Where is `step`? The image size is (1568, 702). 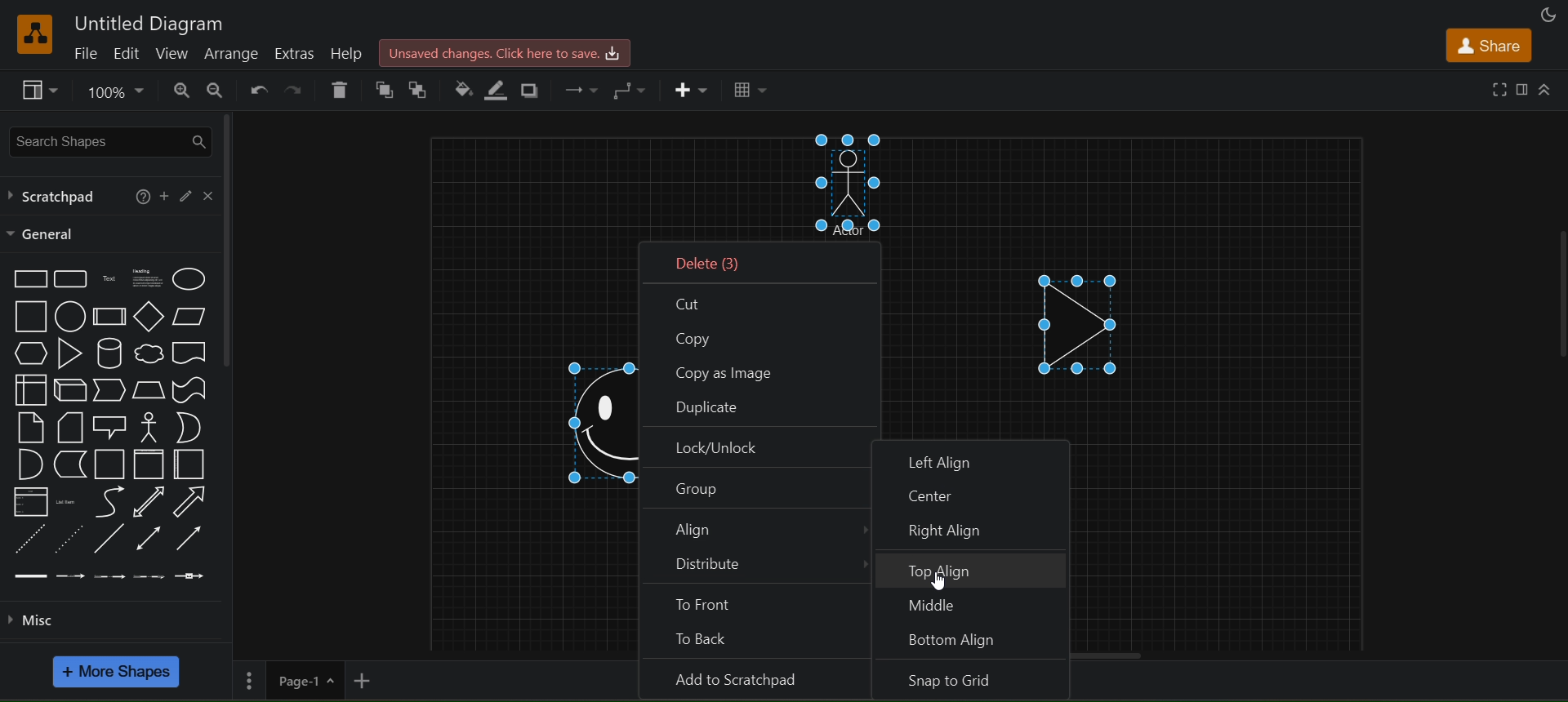 step is located at coordinates (110, 390).